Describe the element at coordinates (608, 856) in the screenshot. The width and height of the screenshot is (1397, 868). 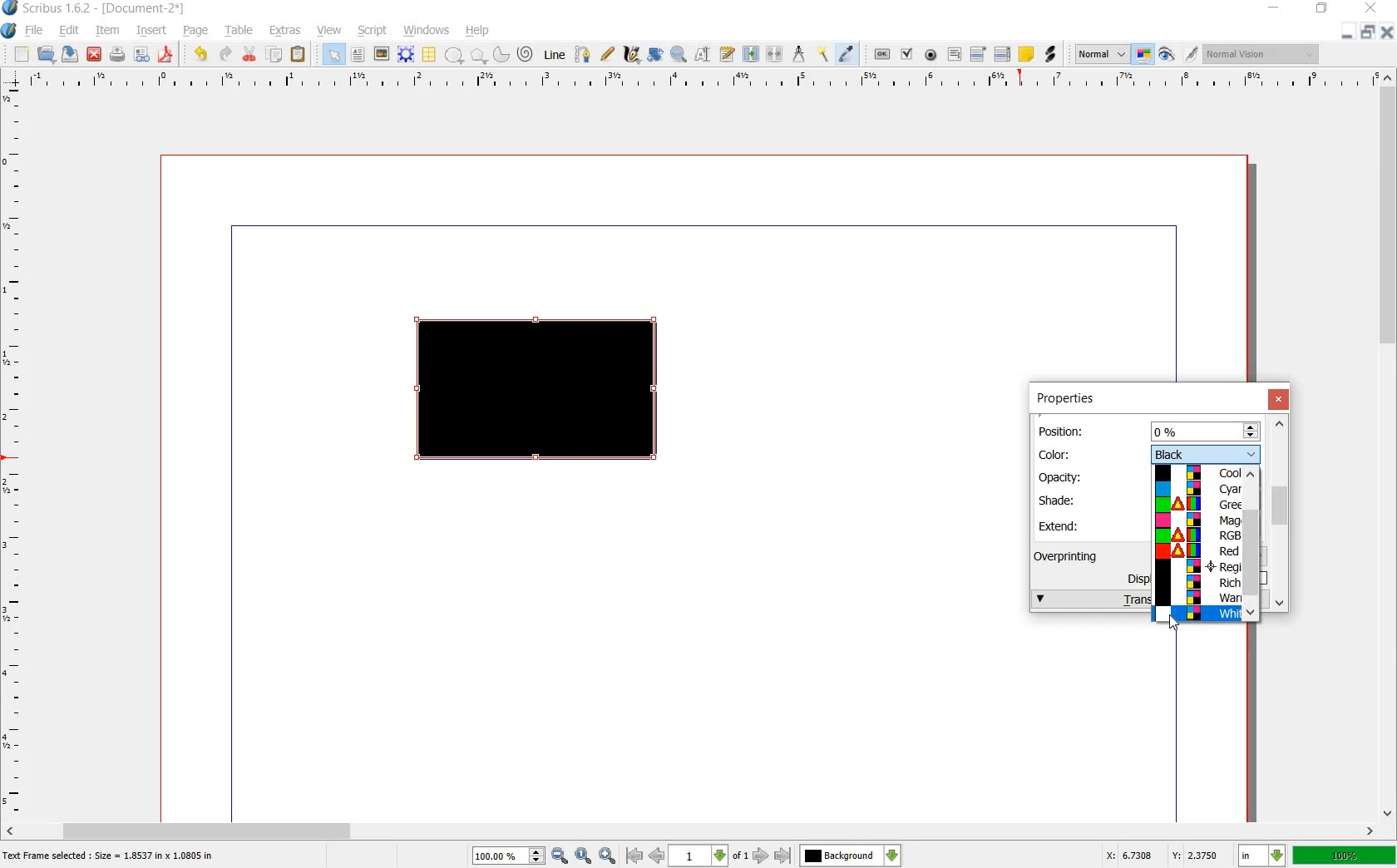
I see `zoom in` at that location.